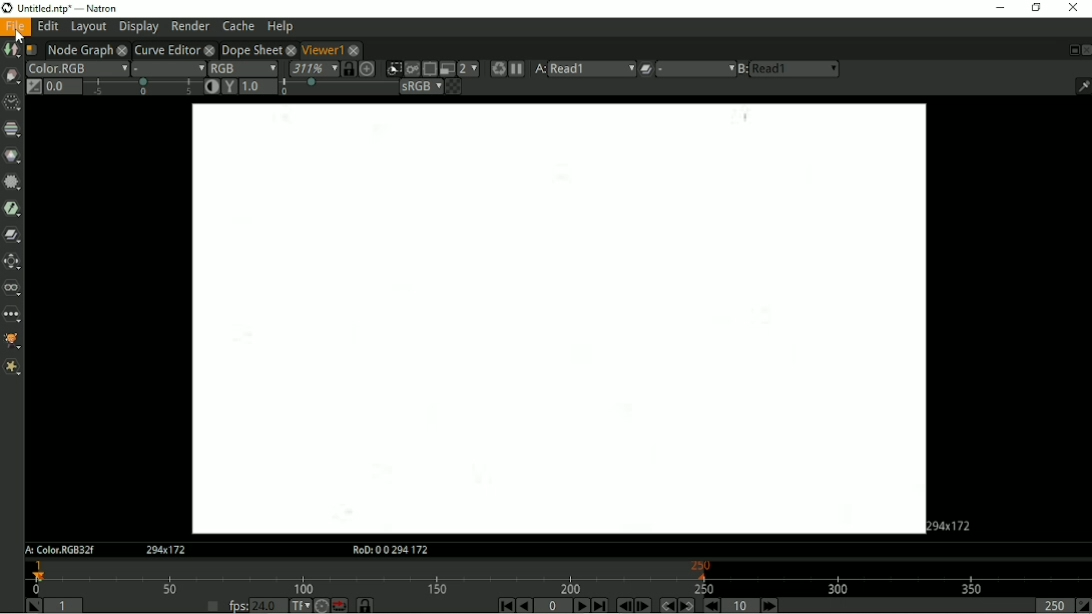 This screenshot has width=1092, height=614. What do you see at coordinates (251, 48) in the screenshot?
I see `Dope Sheet` at bounding box center [251, 48].